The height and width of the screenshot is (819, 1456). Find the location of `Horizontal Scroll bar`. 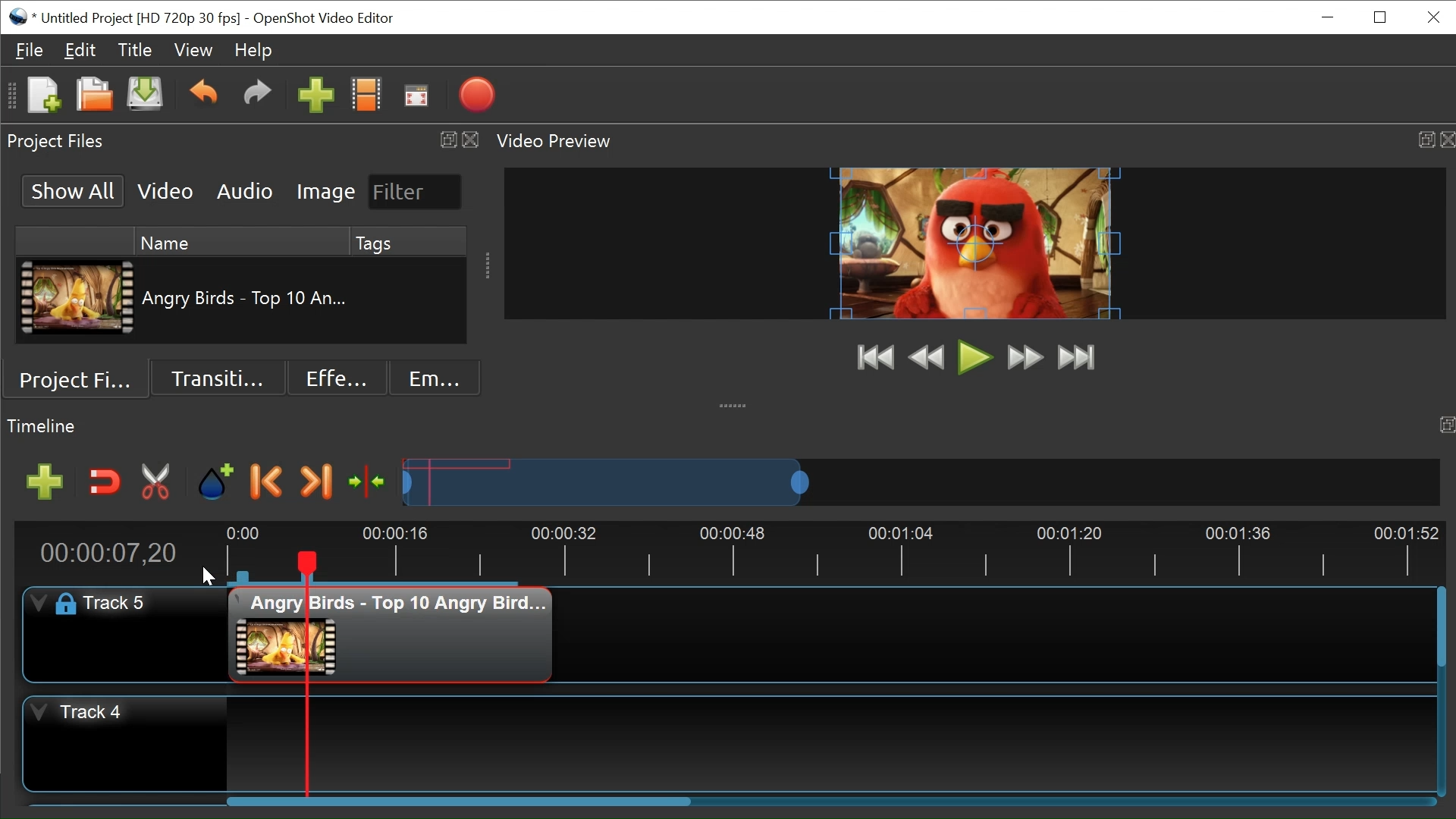

Horizontal Scroll bar is located at coordinates (458, 800).